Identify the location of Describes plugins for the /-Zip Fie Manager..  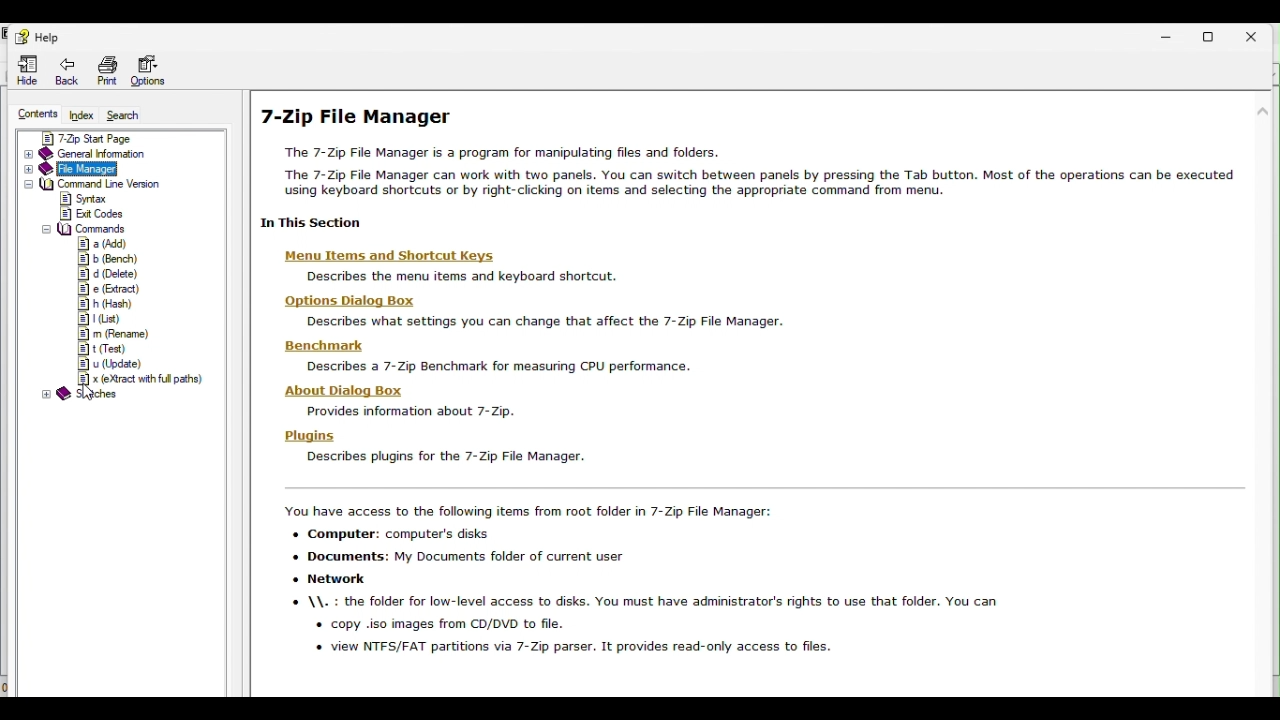
(442, 458).